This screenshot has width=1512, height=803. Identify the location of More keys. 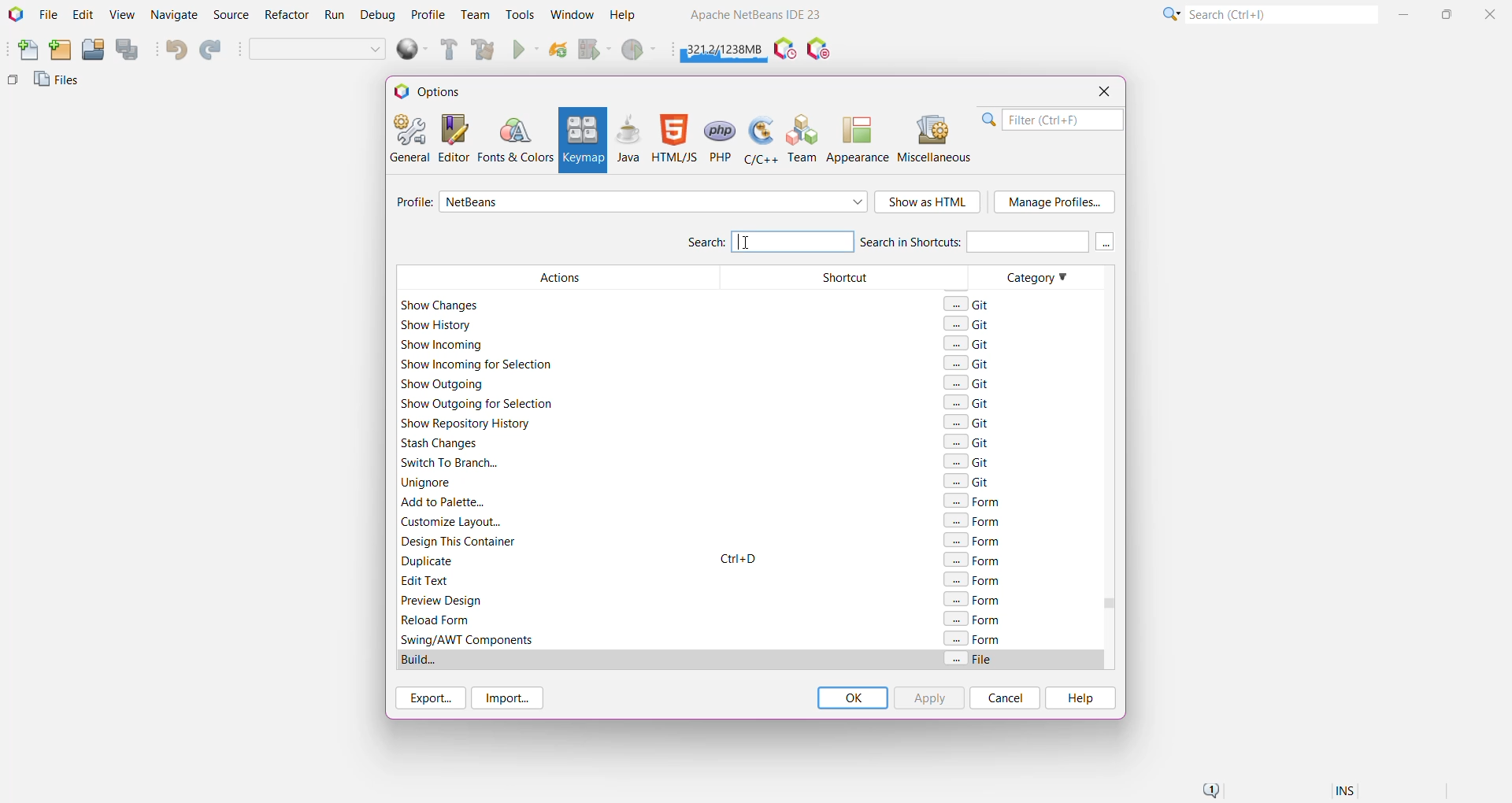
(1106, 242).